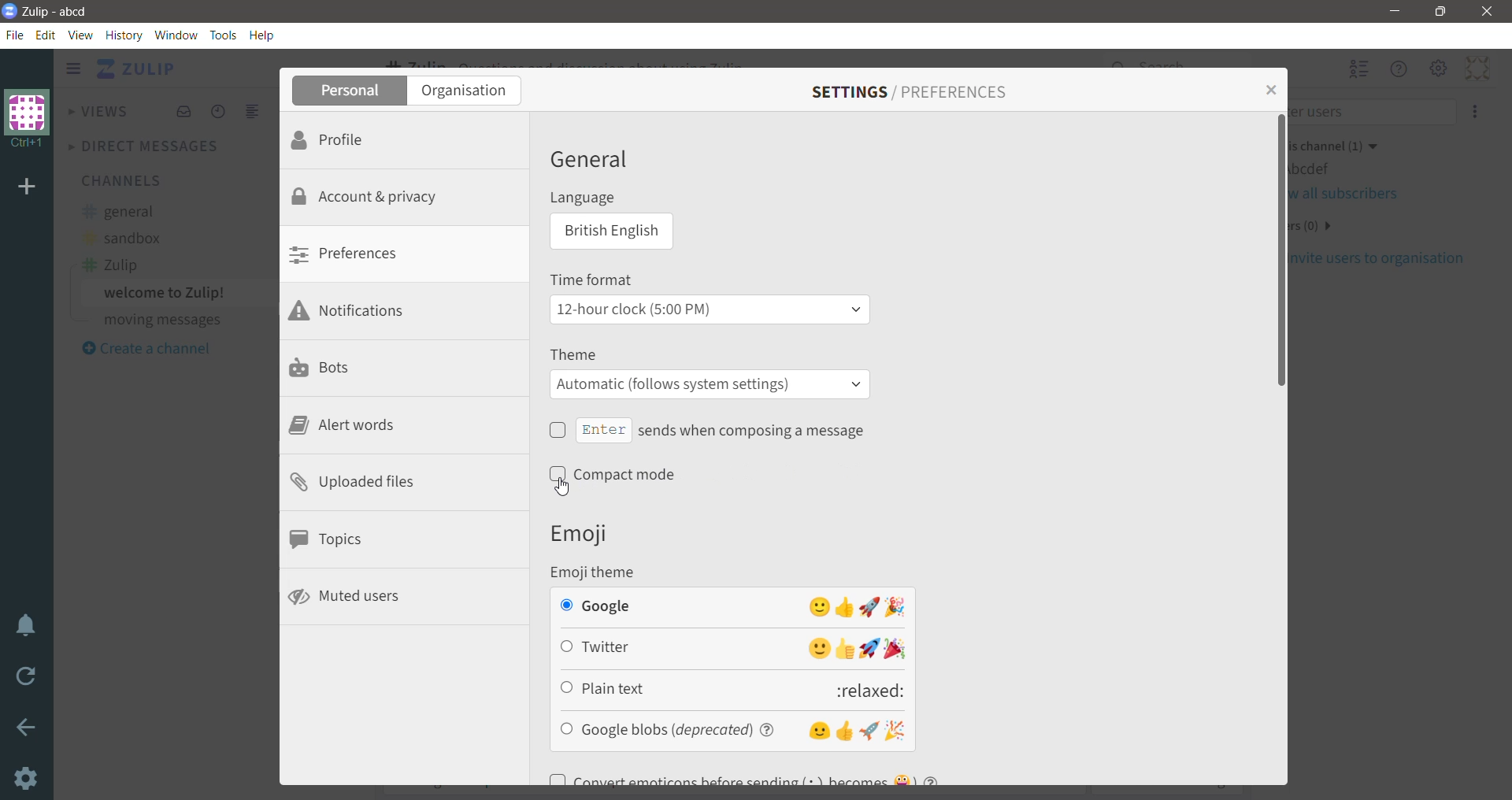  What do you see at coordinates (707, 430) in the screenshot?
I see `Enter sends when composing a message` at bounding box center [707, 430].